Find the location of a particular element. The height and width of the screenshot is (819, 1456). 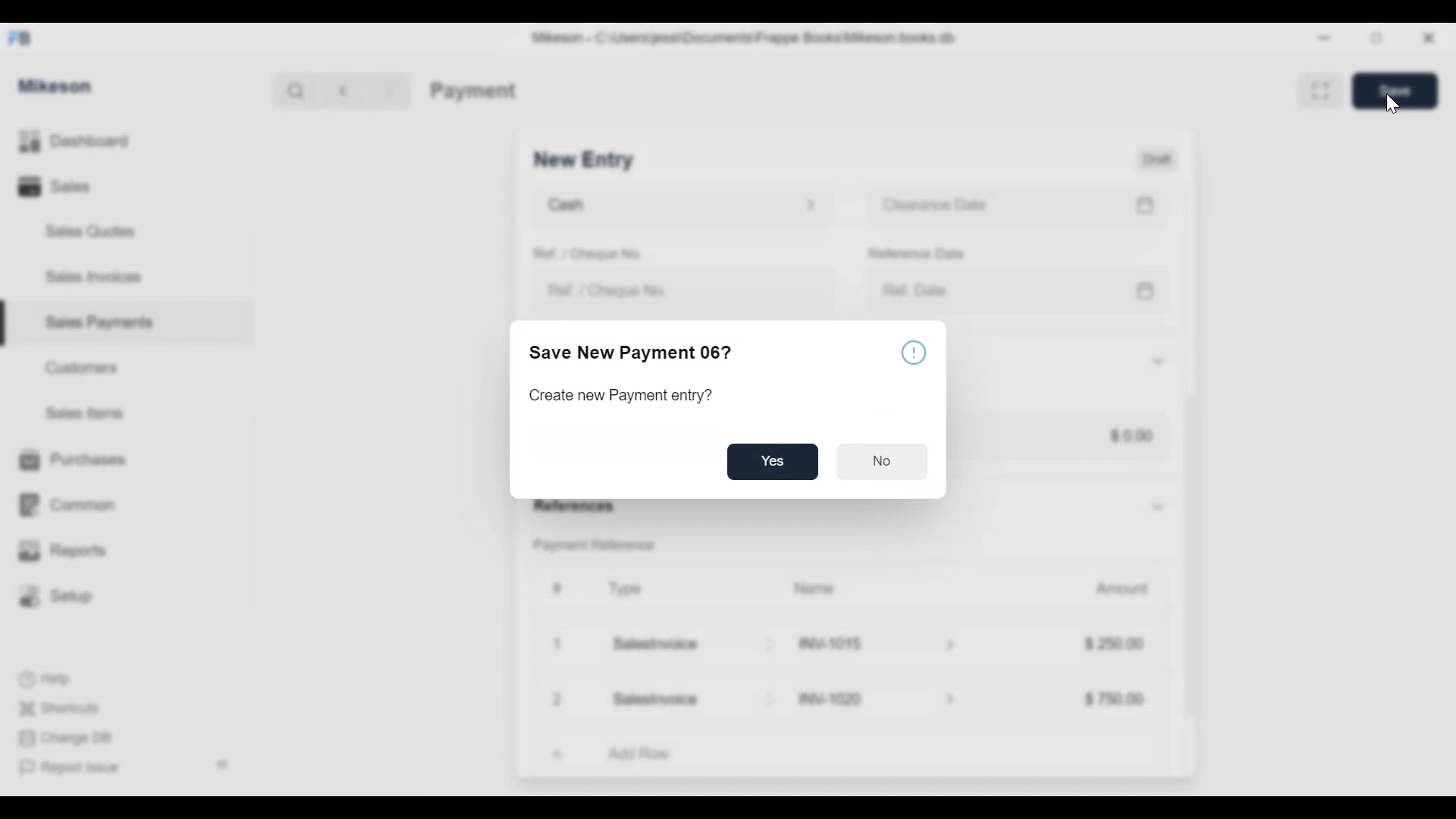

FB is located at coordinates (24, 36).